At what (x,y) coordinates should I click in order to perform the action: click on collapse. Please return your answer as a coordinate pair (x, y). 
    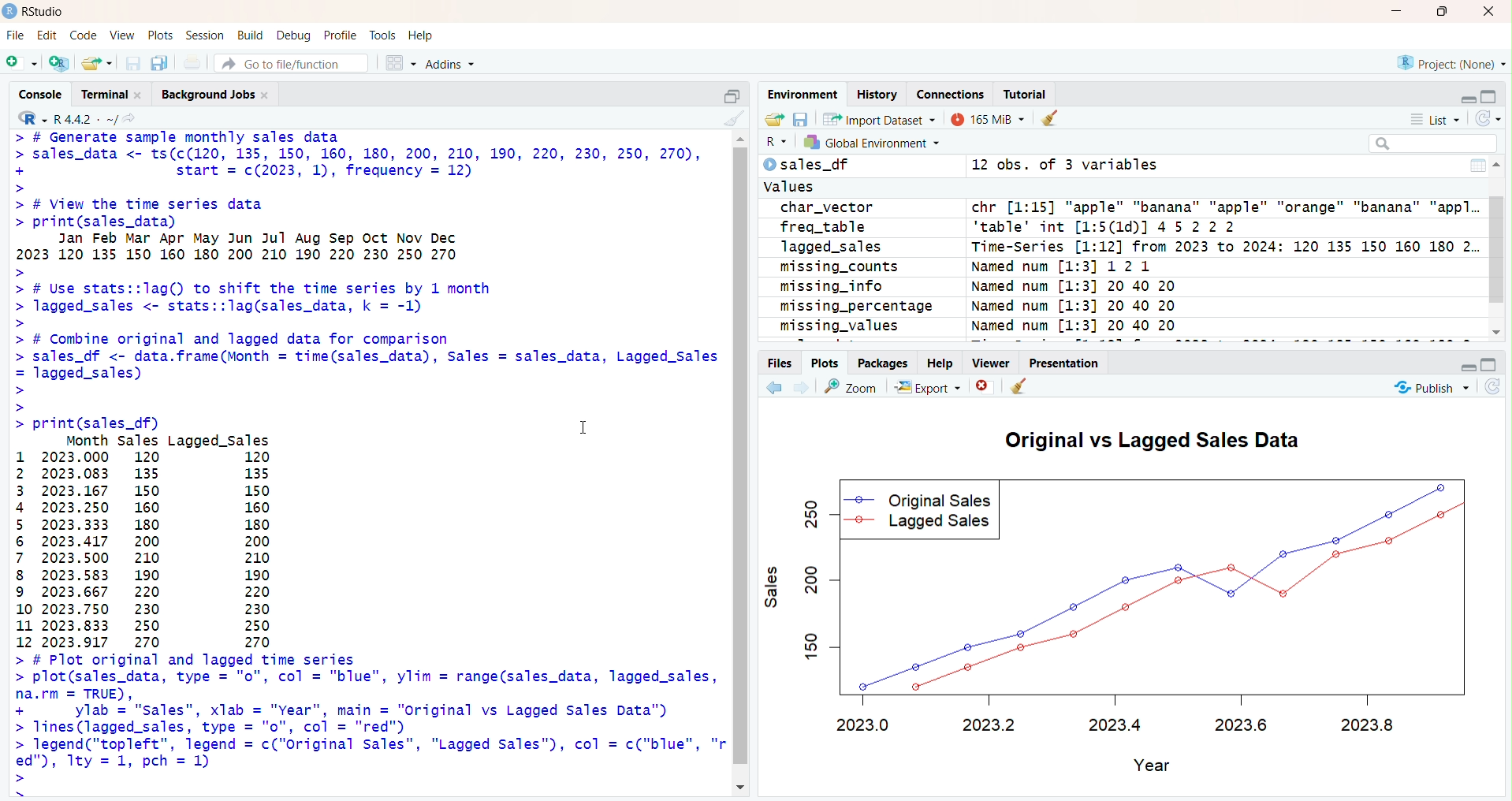
    Looking at the image, I should click on (1494, 364).